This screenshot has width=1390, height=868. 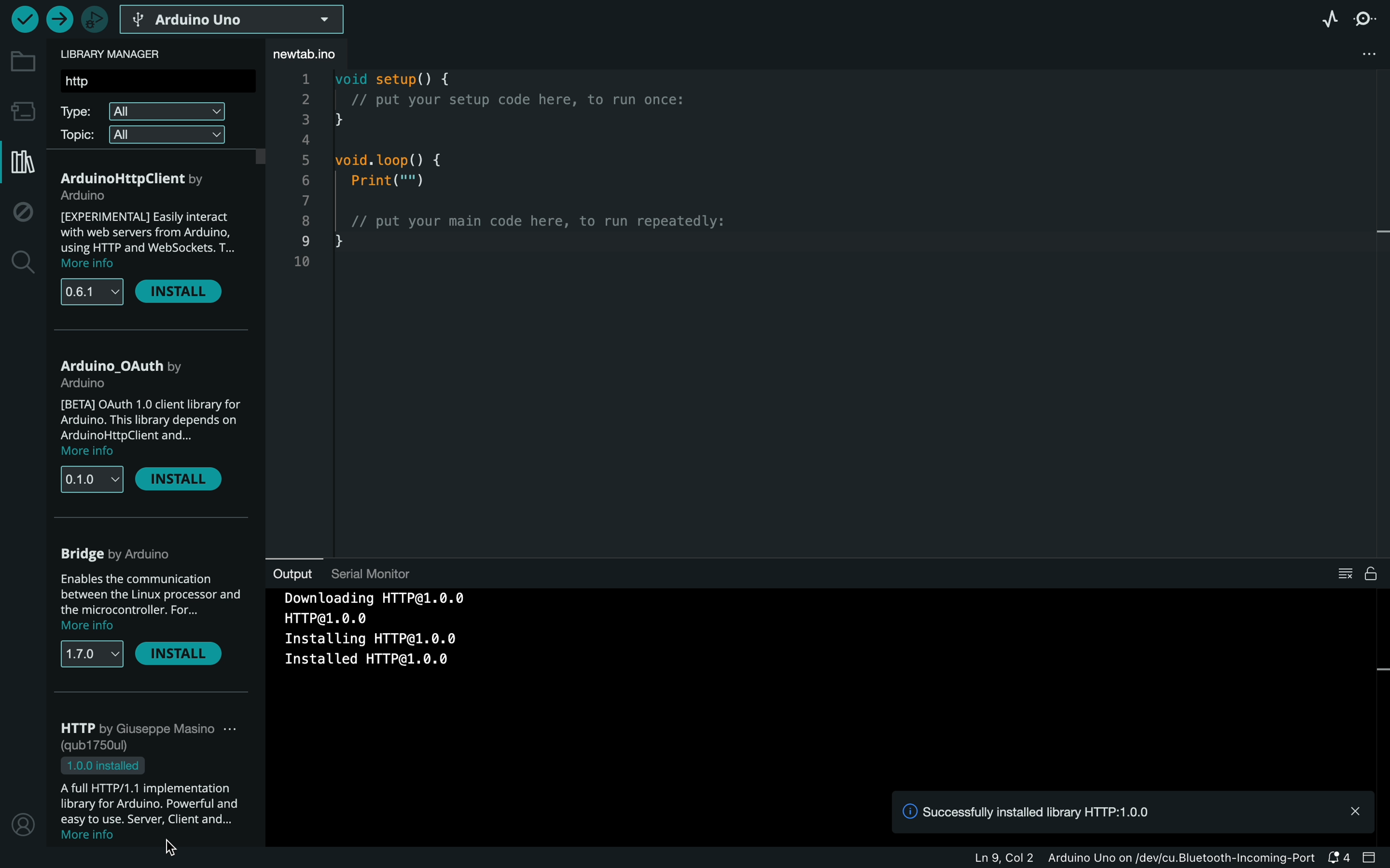 What do you see at coordinates (138, 556) in the screenshot?
I see `arduino cloud` at bounding box center [138, 556].